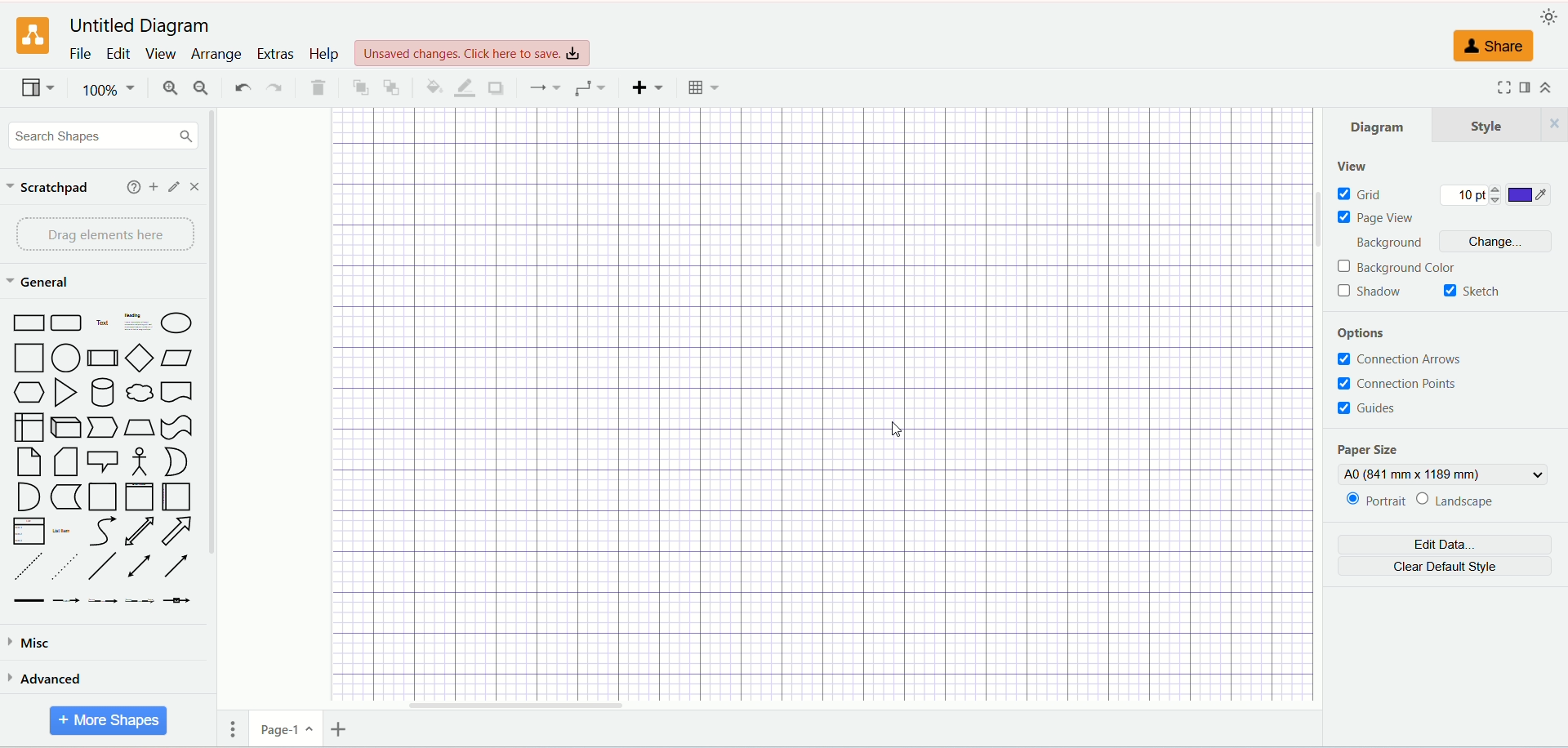 Image resolution: width=1568 pixels, height=748 pixels. I want to click on Triangle, so click(67, 394).